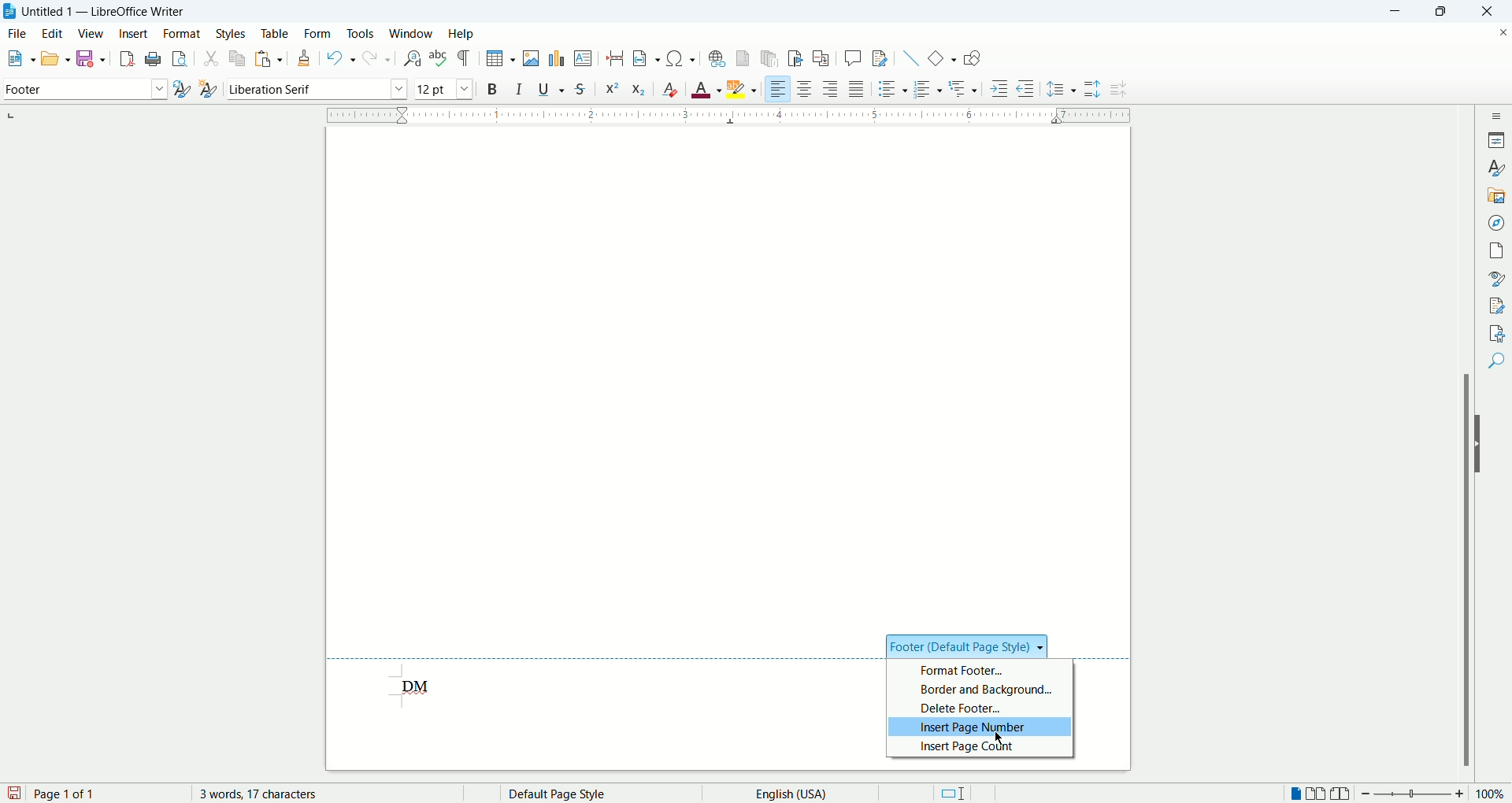  Describe the element at coordinates (207, 89) in the screenshot. I see `new style` at that location.